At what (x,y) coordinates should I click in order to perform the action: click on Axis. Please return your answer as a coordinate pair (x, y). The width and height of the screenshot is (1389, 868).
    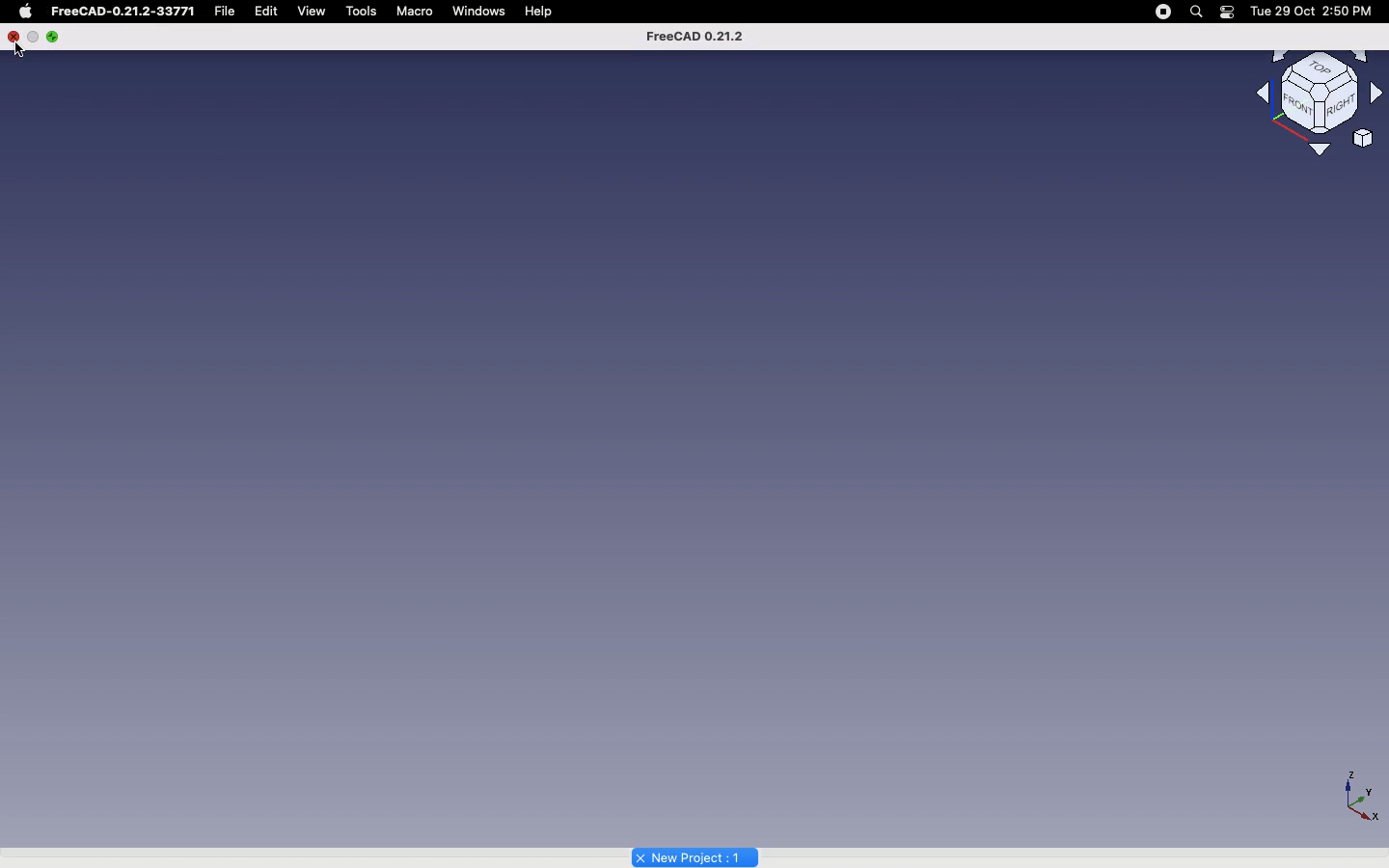
    Looking at the image, I should click on (1362, 797).